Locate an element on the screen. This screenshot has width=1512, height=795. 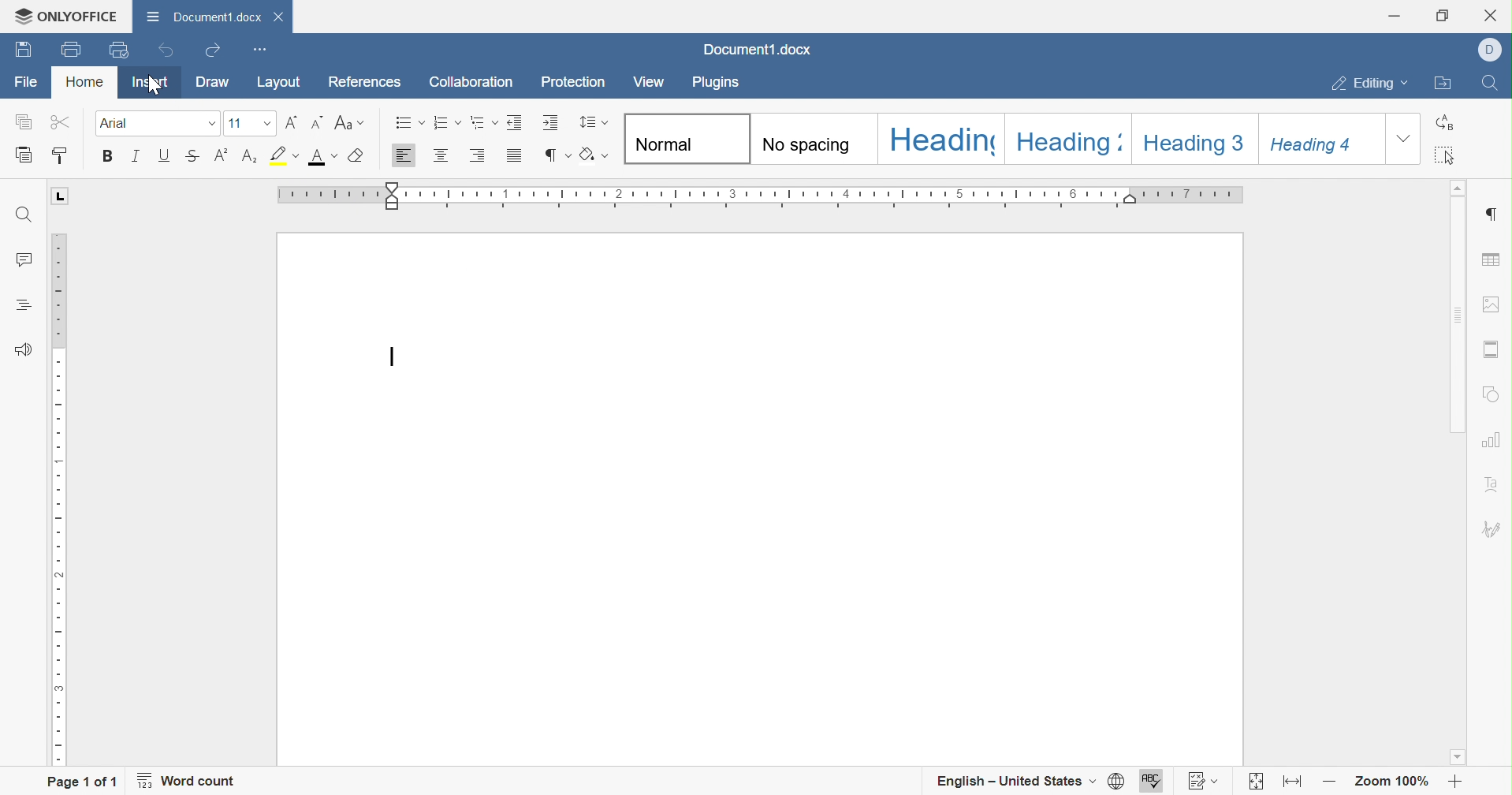
Editing is located at coordinates (1368, 84).